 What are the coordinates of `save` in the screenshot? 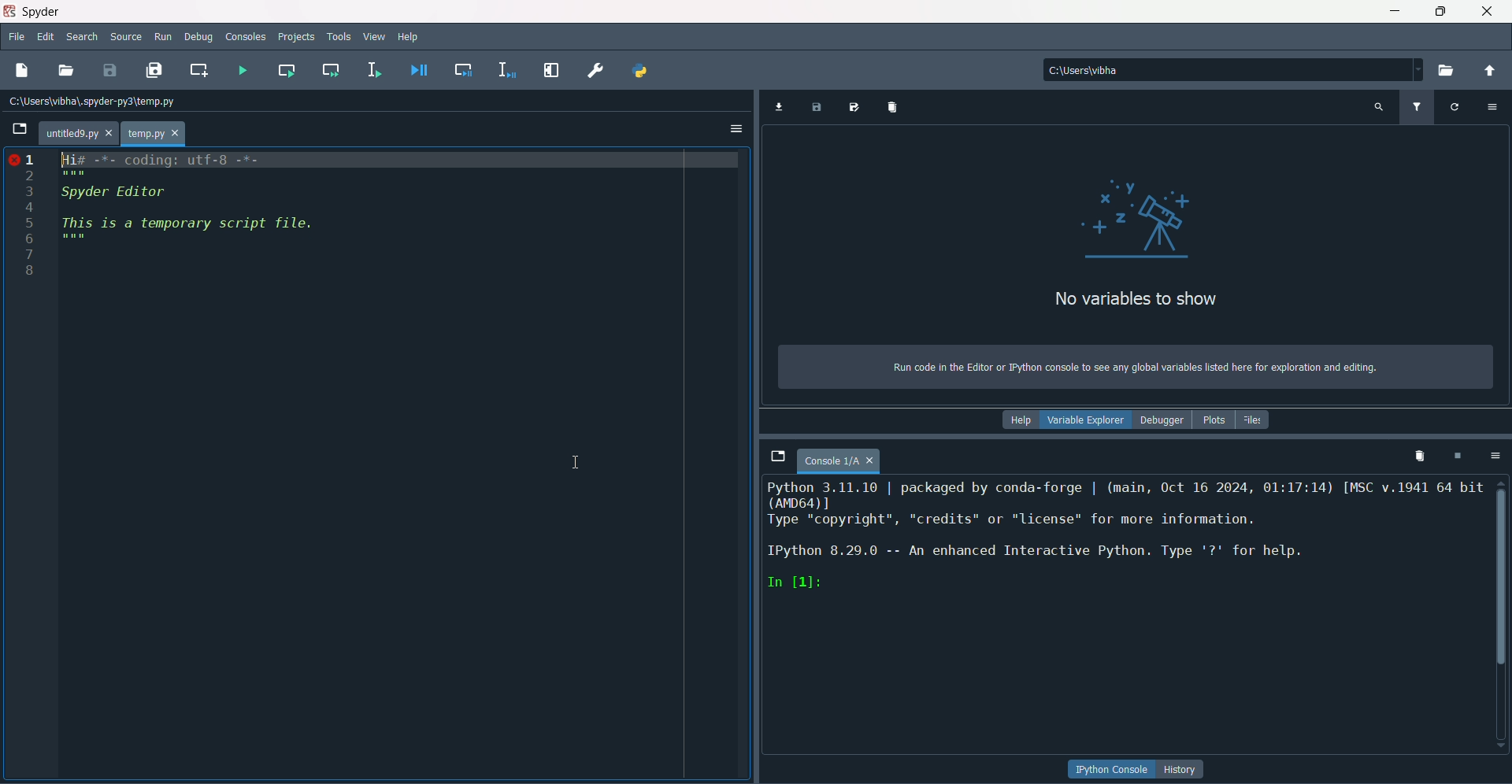 It's located at (110, 69).